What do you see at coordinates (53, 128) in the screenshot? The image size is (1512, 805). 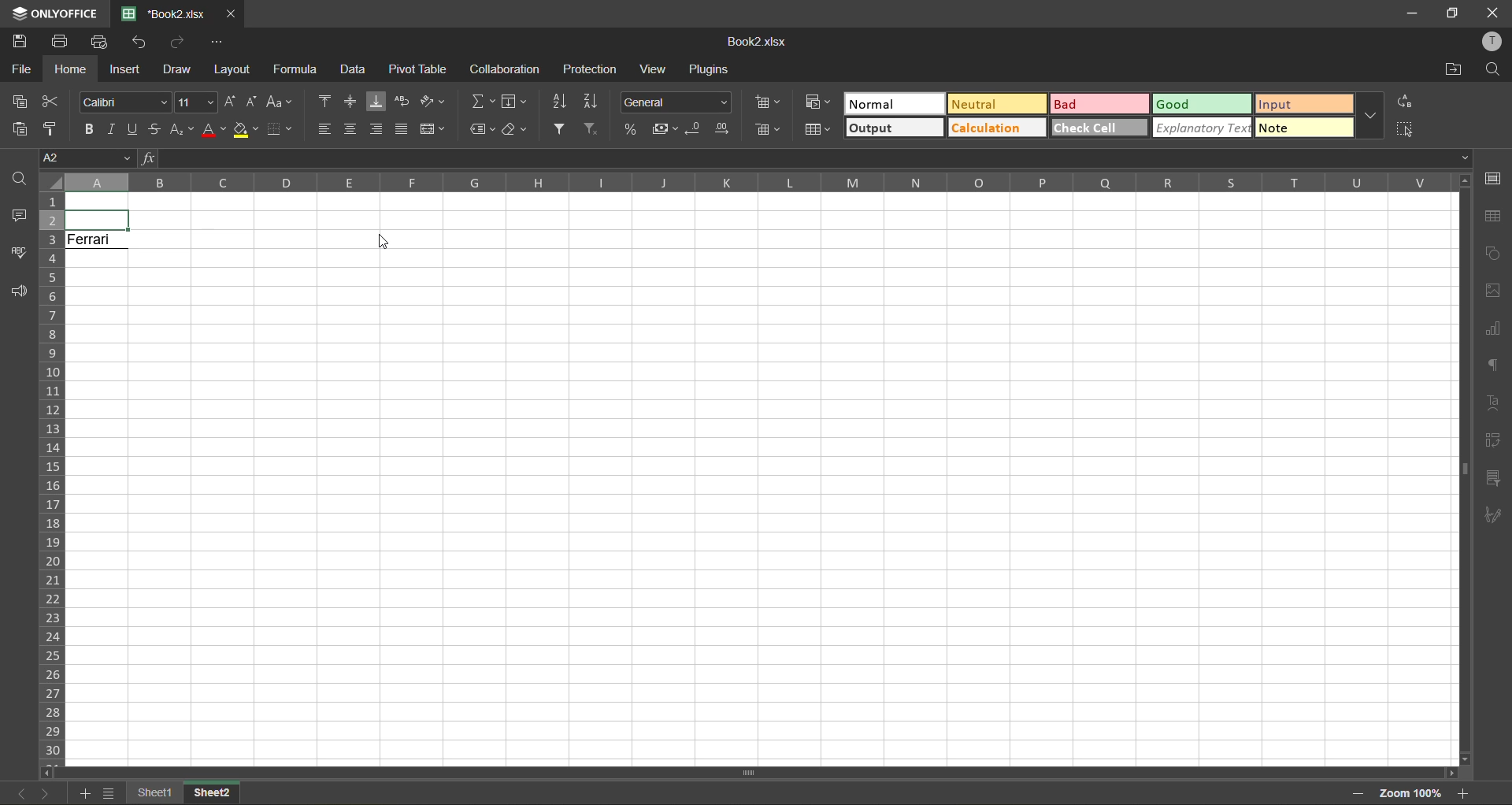 I see `copy style` at bounding box center [53, 128].